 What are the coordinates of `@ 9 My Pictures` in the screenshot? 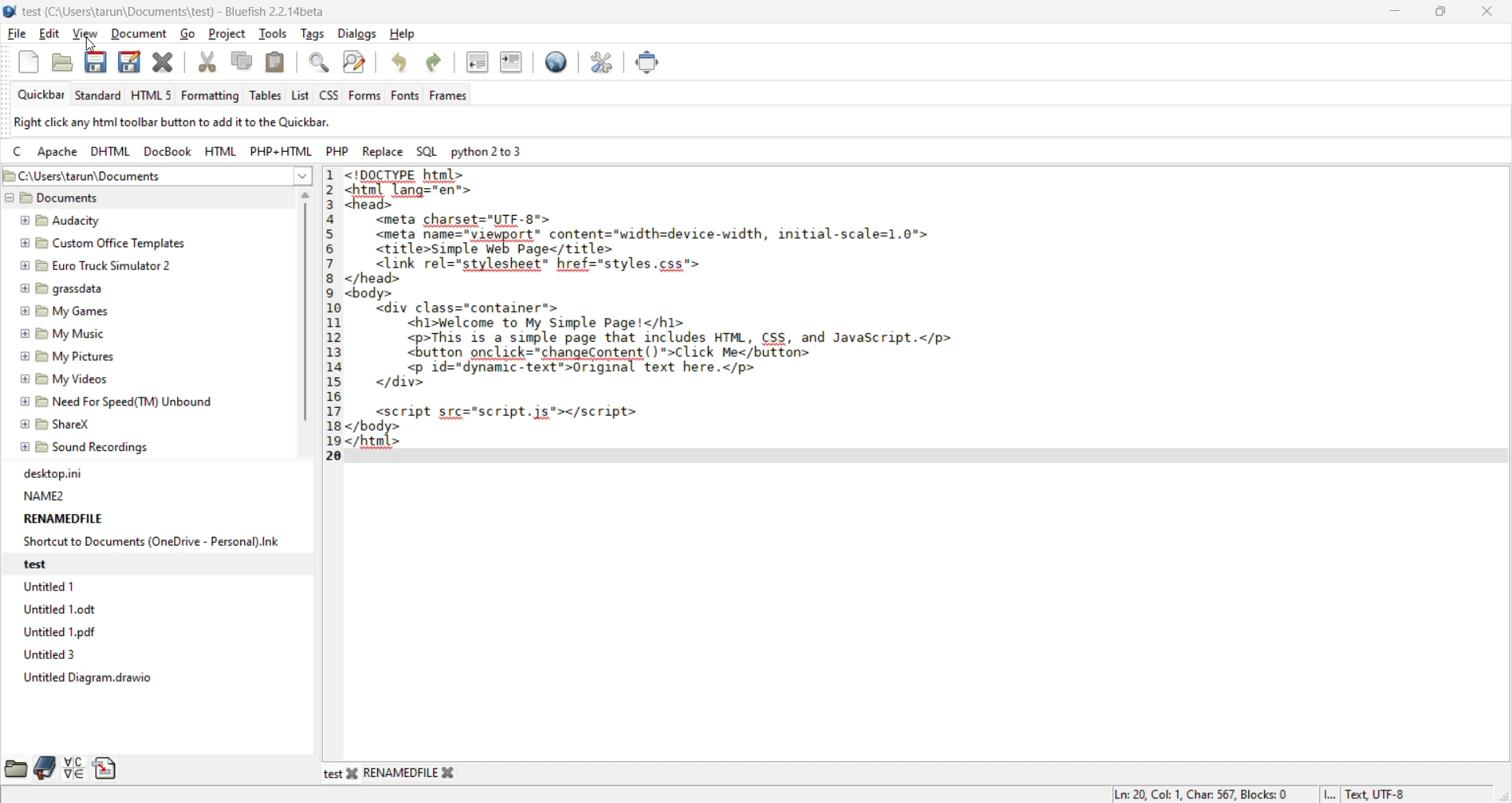 It's located at (64, 357).